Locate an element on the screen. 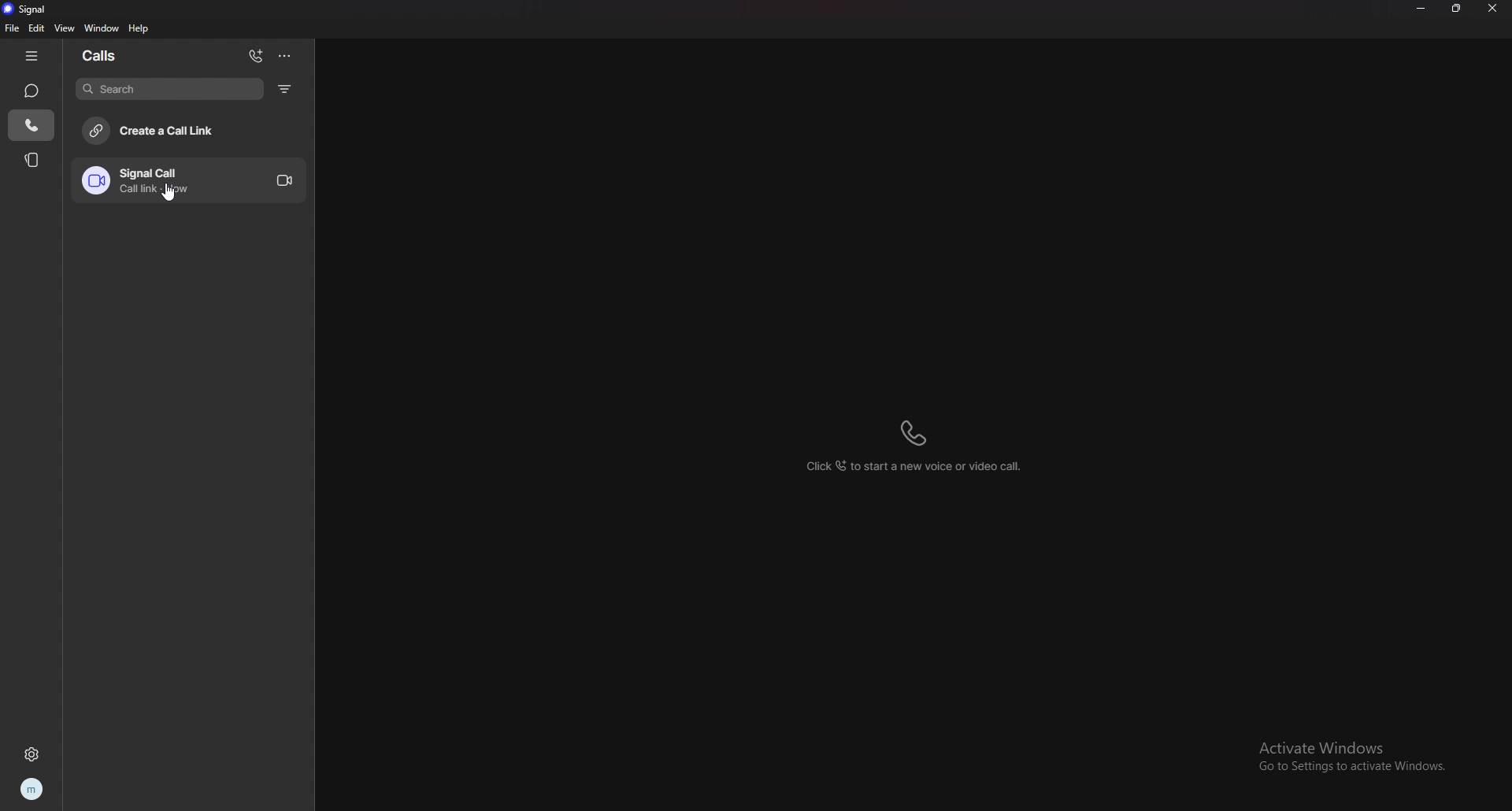 The height and width of the screenshot is (811, 1512). file is located at coordinates (10, 28).